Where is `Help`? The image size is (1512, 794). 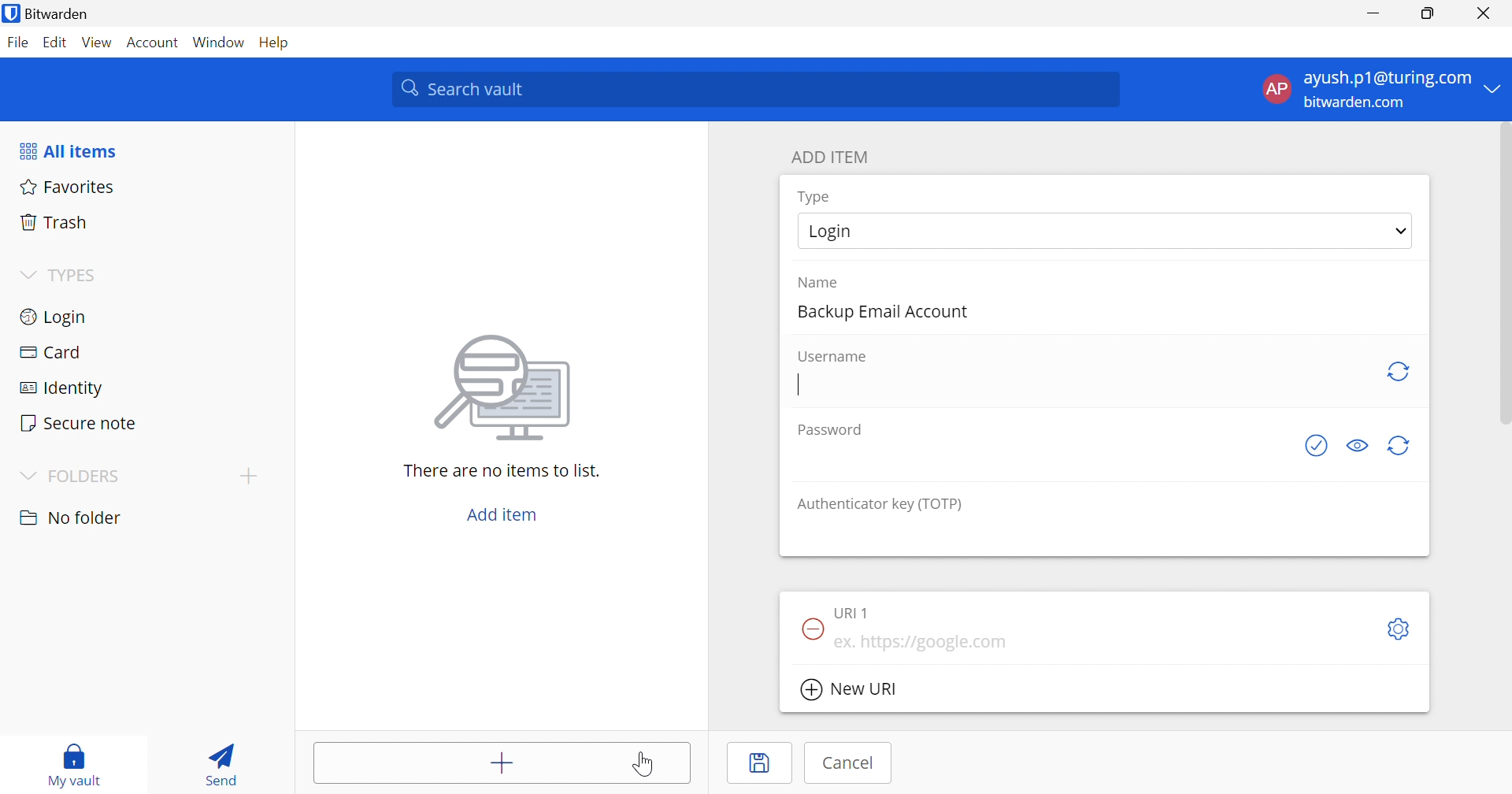 Help is located at coordinates (272, 42).